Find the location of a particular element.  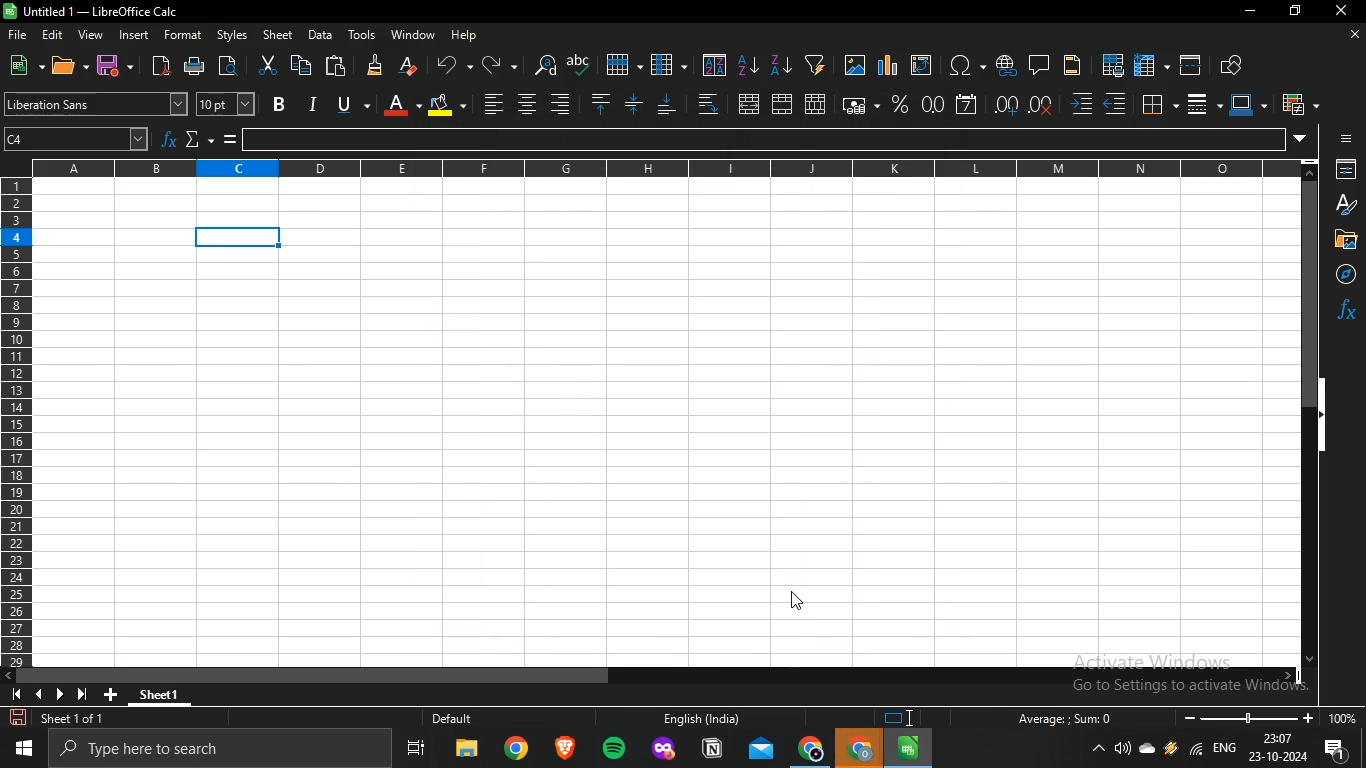

font color is located at coordinates (395, 103).